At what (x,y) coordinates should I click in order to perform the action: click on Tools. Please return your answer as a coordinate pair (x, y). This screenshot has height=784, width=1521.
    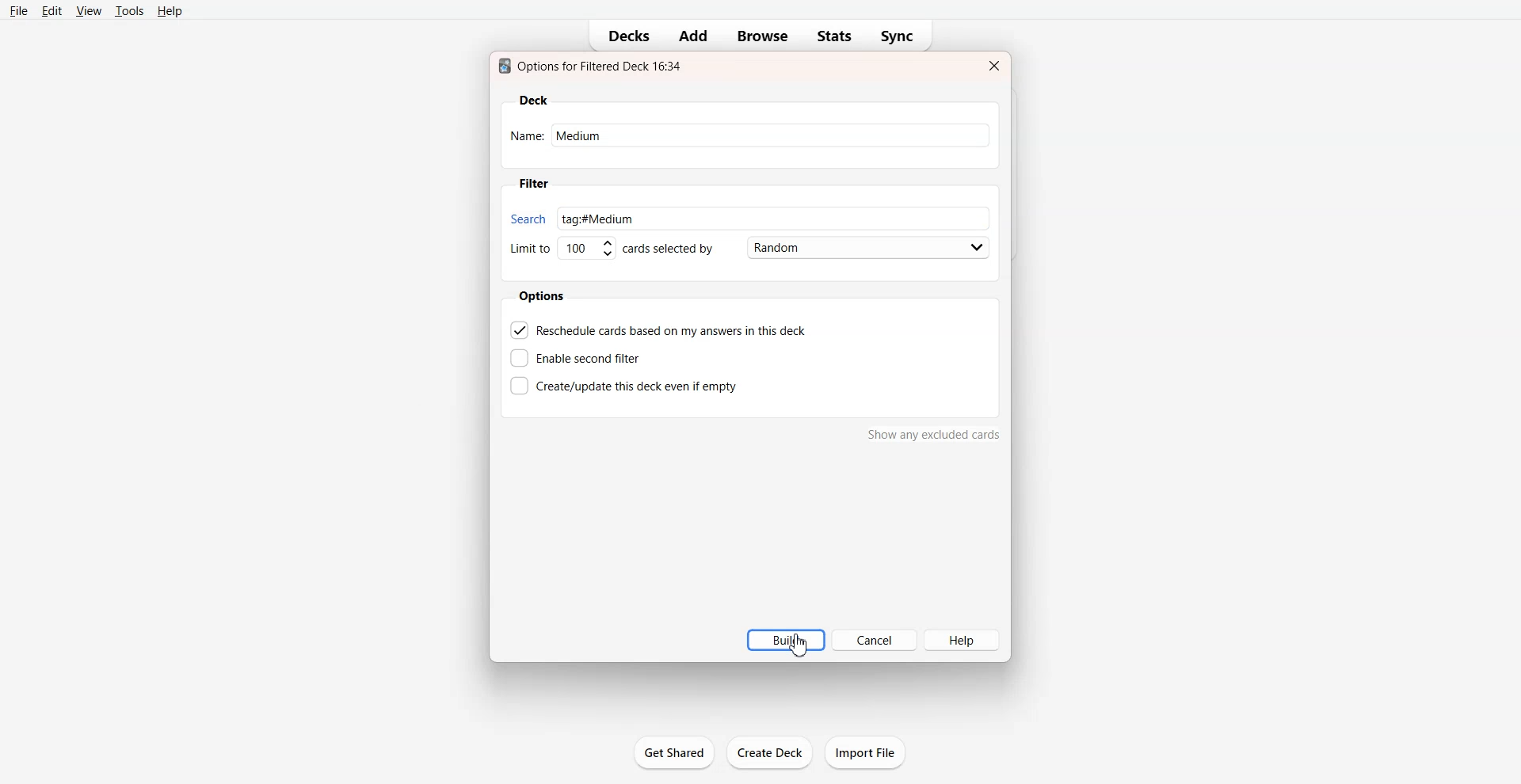
    Looking at the image, I should click on (129, 10).